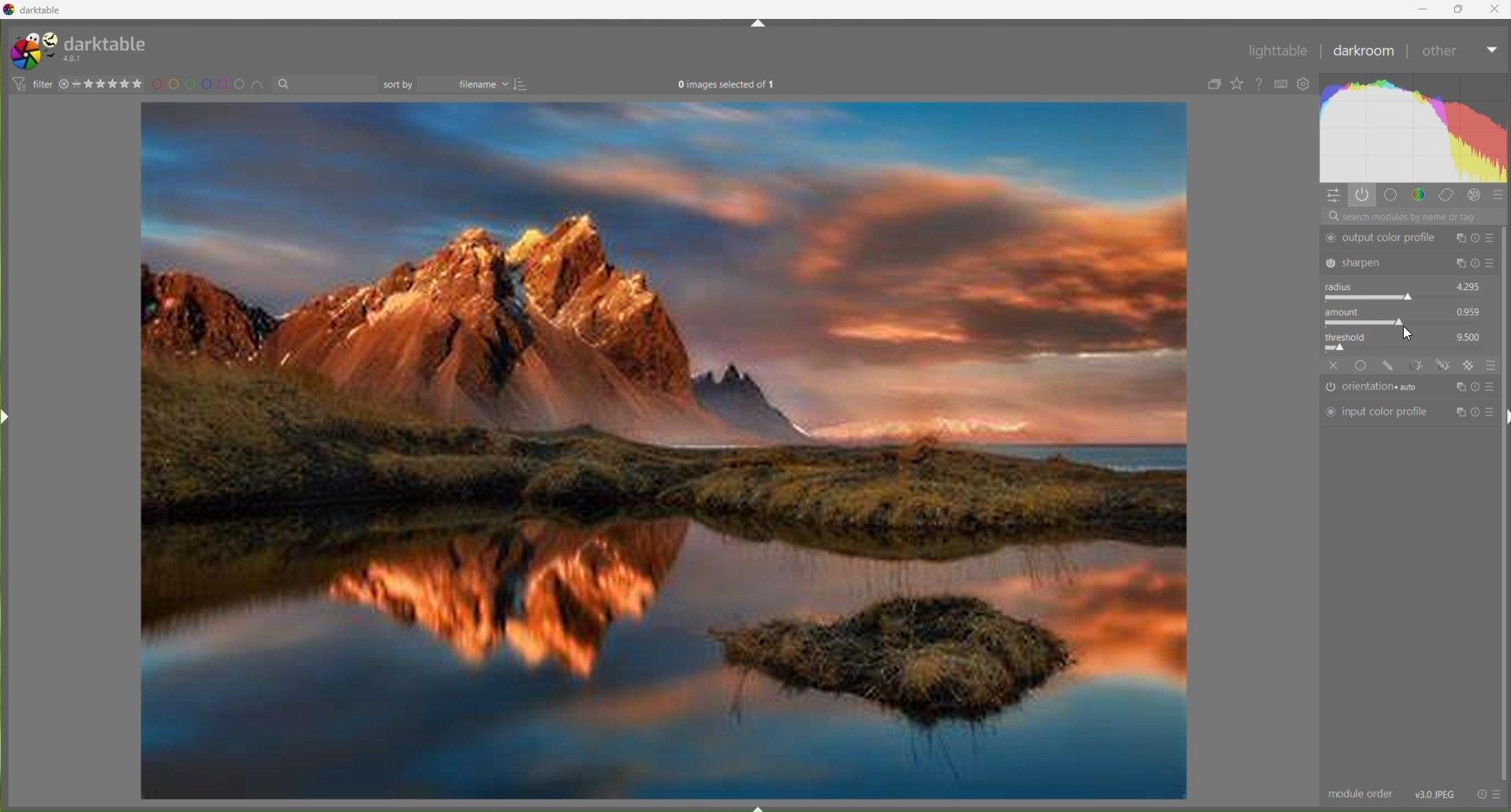 The height and width of the screenshot is (812, 1511). What do you see at coordinates (1237, 84) in the screenshot?
I see `Favourites` at bounding box center [1237, 84].